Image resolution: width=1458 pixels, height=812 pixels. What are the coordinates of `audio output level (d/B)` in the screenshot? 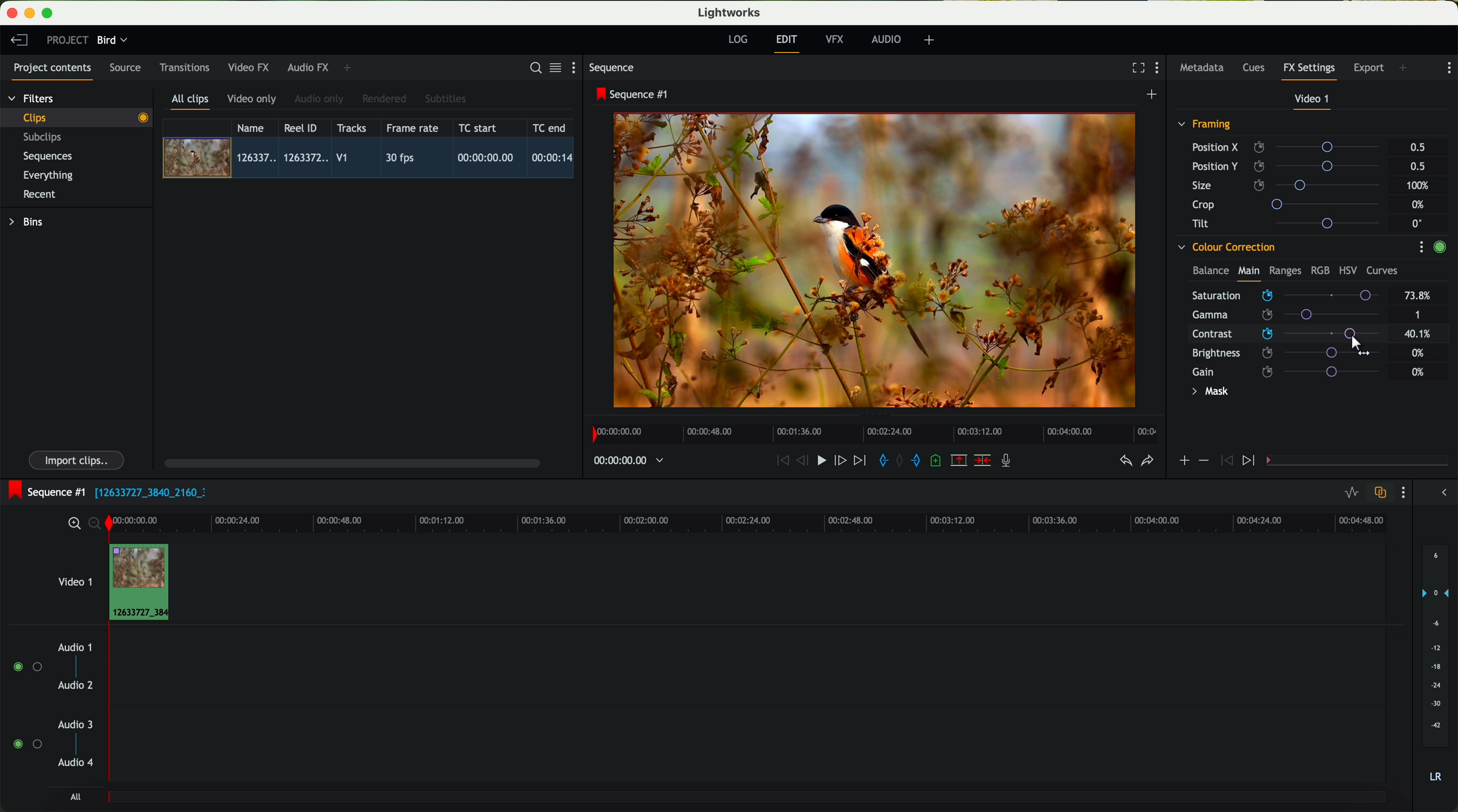 It's located at (1436, 667).